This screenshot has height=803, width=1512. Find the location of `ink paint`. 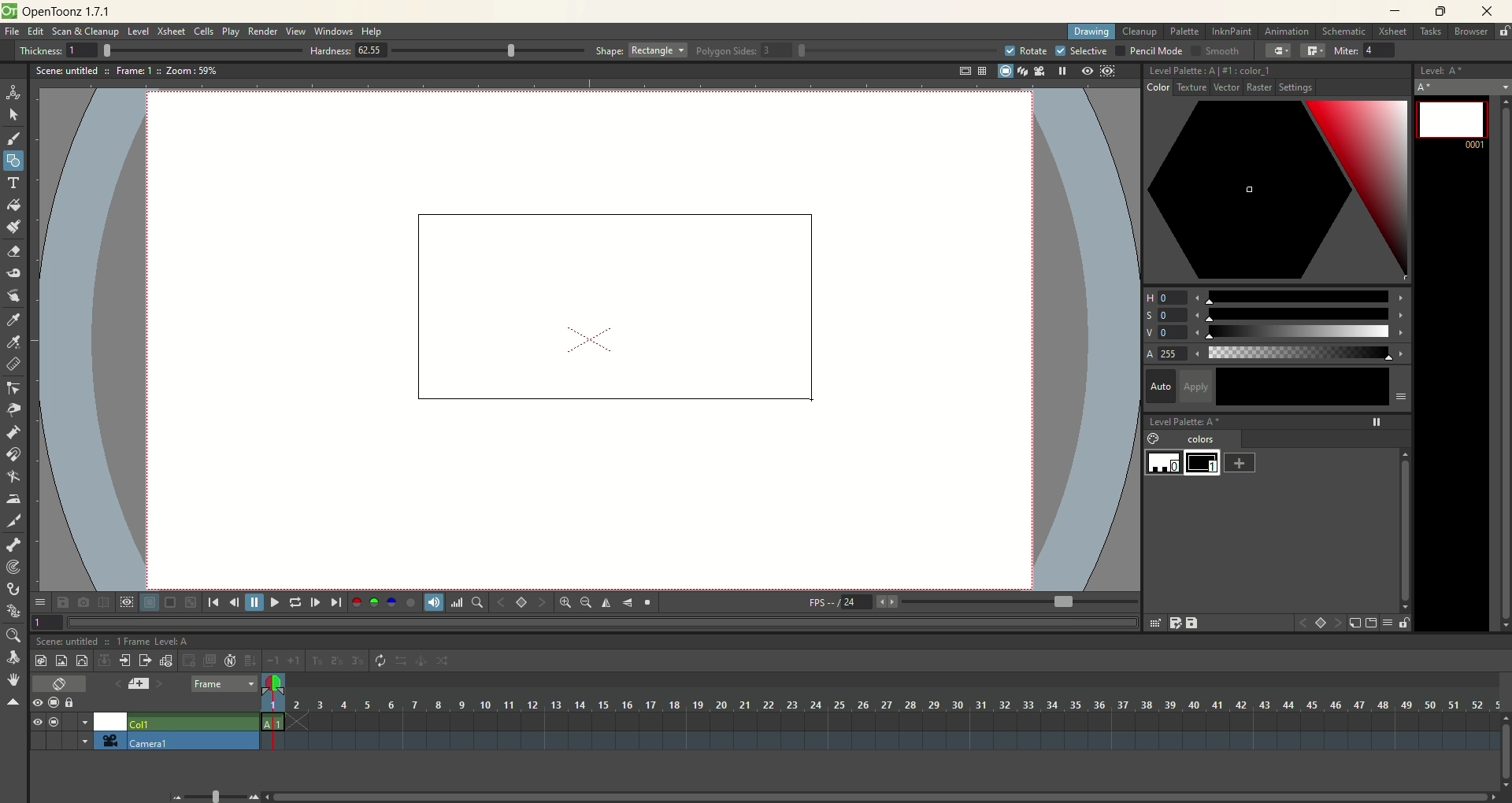

ink paint is located at coordinates (1232, 31).